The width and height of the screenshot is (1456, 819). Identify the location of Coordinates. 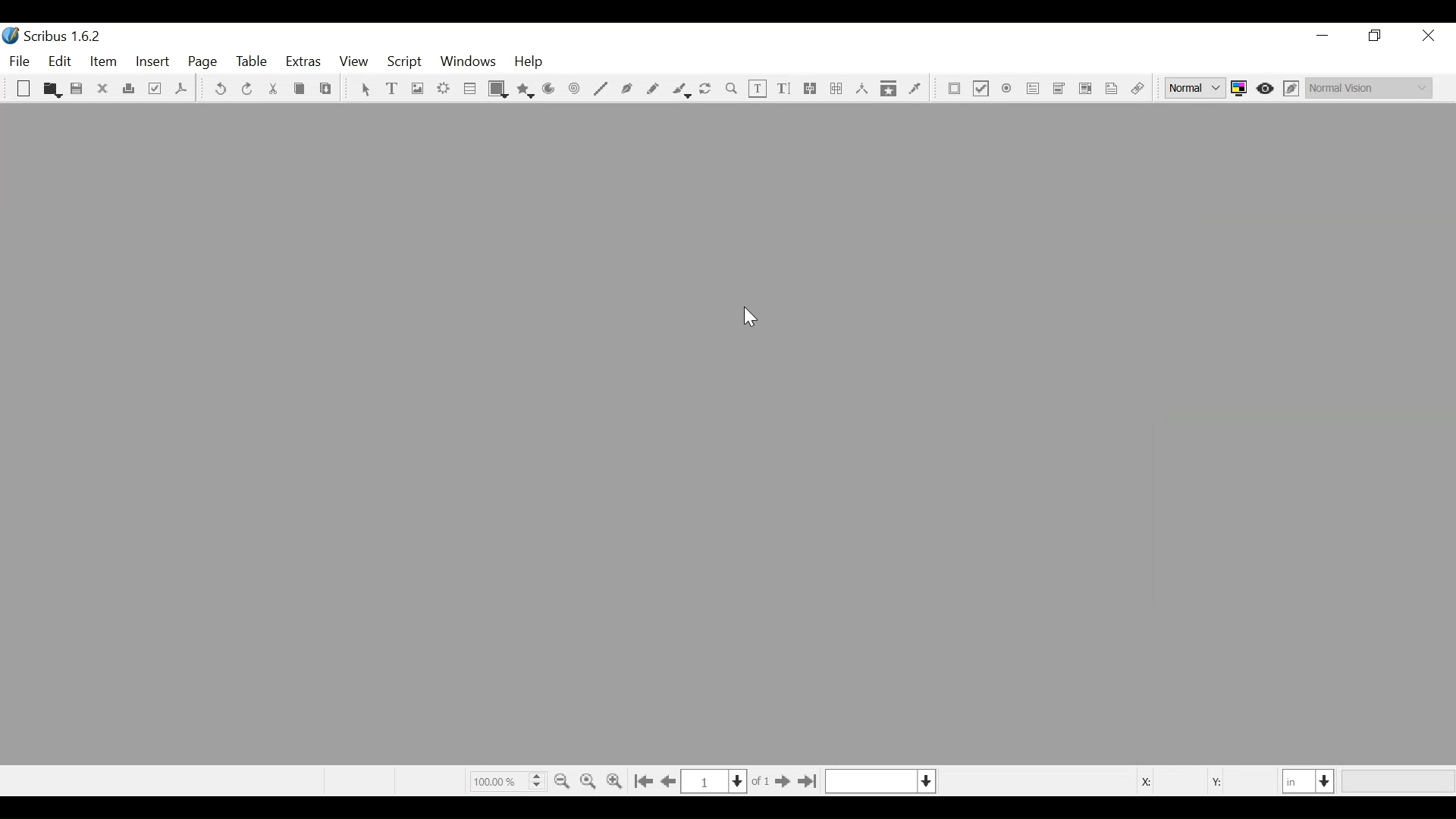
(1197, 780).